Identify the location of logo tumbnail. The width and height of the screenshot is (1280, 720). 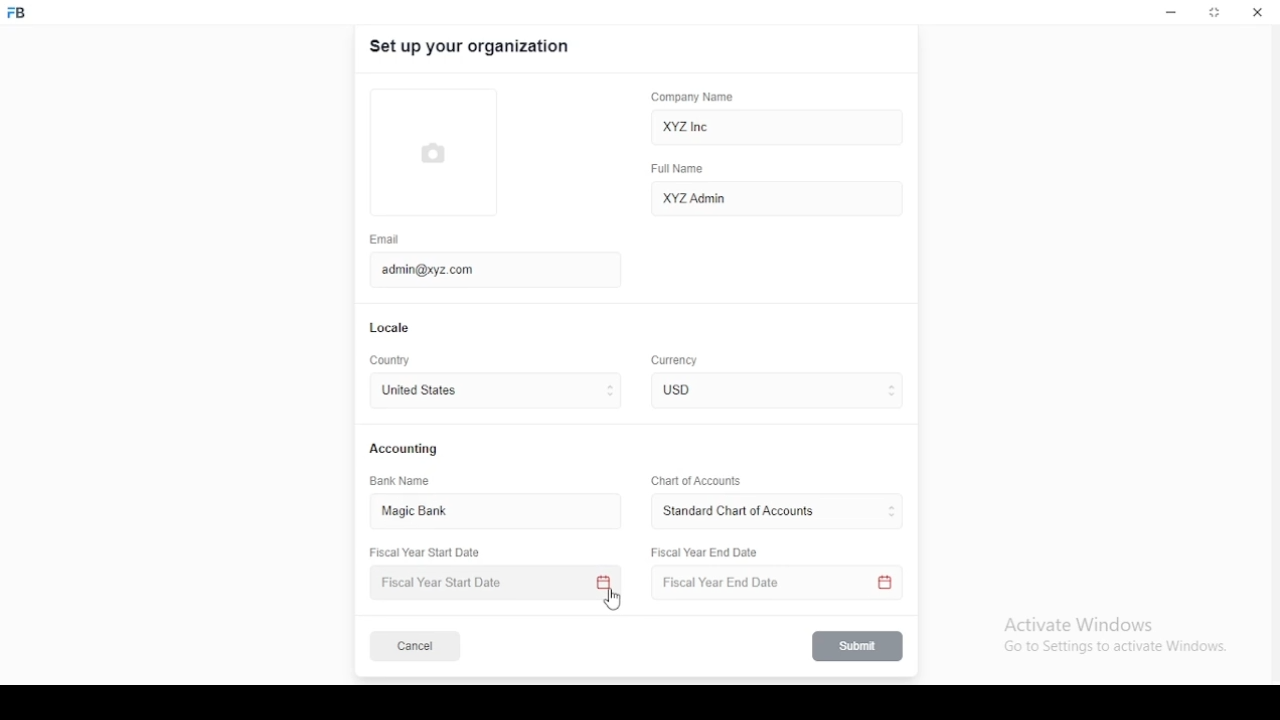
(448, 153).